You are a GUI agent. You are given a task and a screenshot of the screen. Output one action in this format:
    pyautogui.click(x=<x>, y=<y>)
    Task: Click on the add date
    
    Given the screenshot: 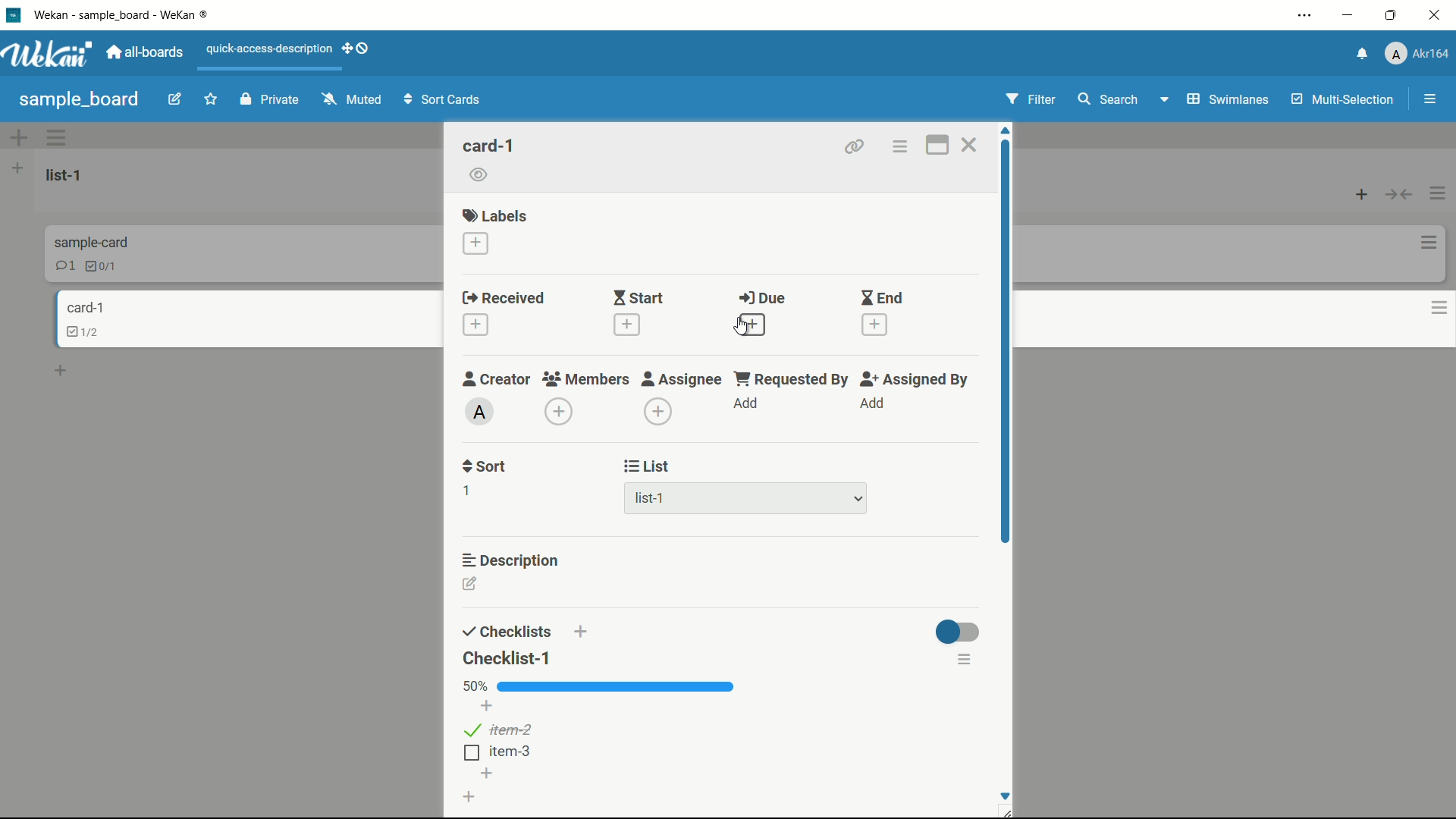 What is the action you would take?
    pyautogui.click(x=875, y=325)
    